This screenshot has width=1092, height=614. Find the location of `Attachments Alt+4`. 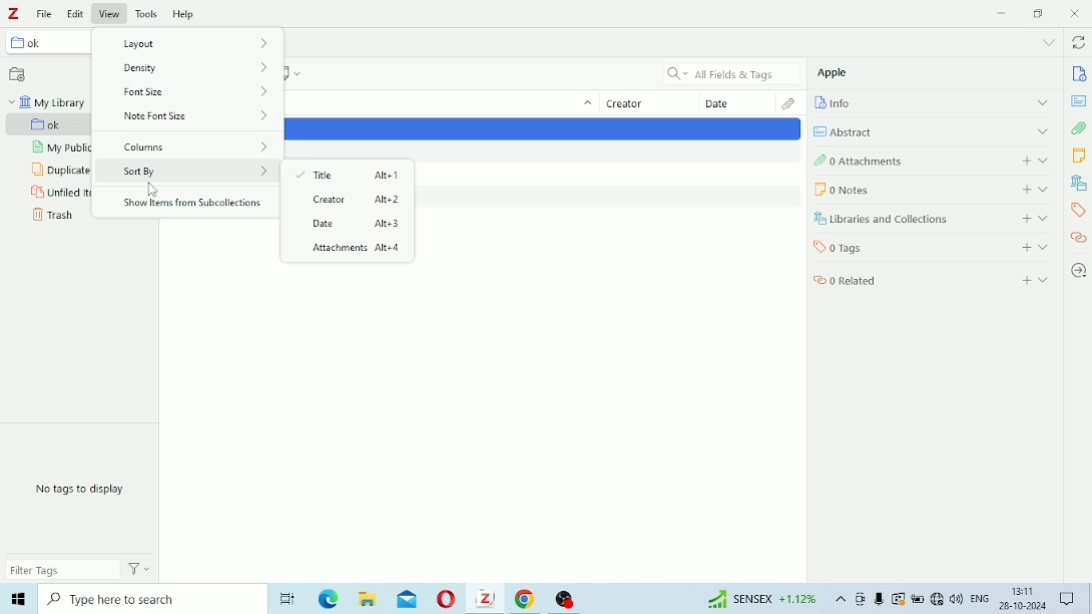

Attachments Alt+4 is located at coordinates (351, 250).